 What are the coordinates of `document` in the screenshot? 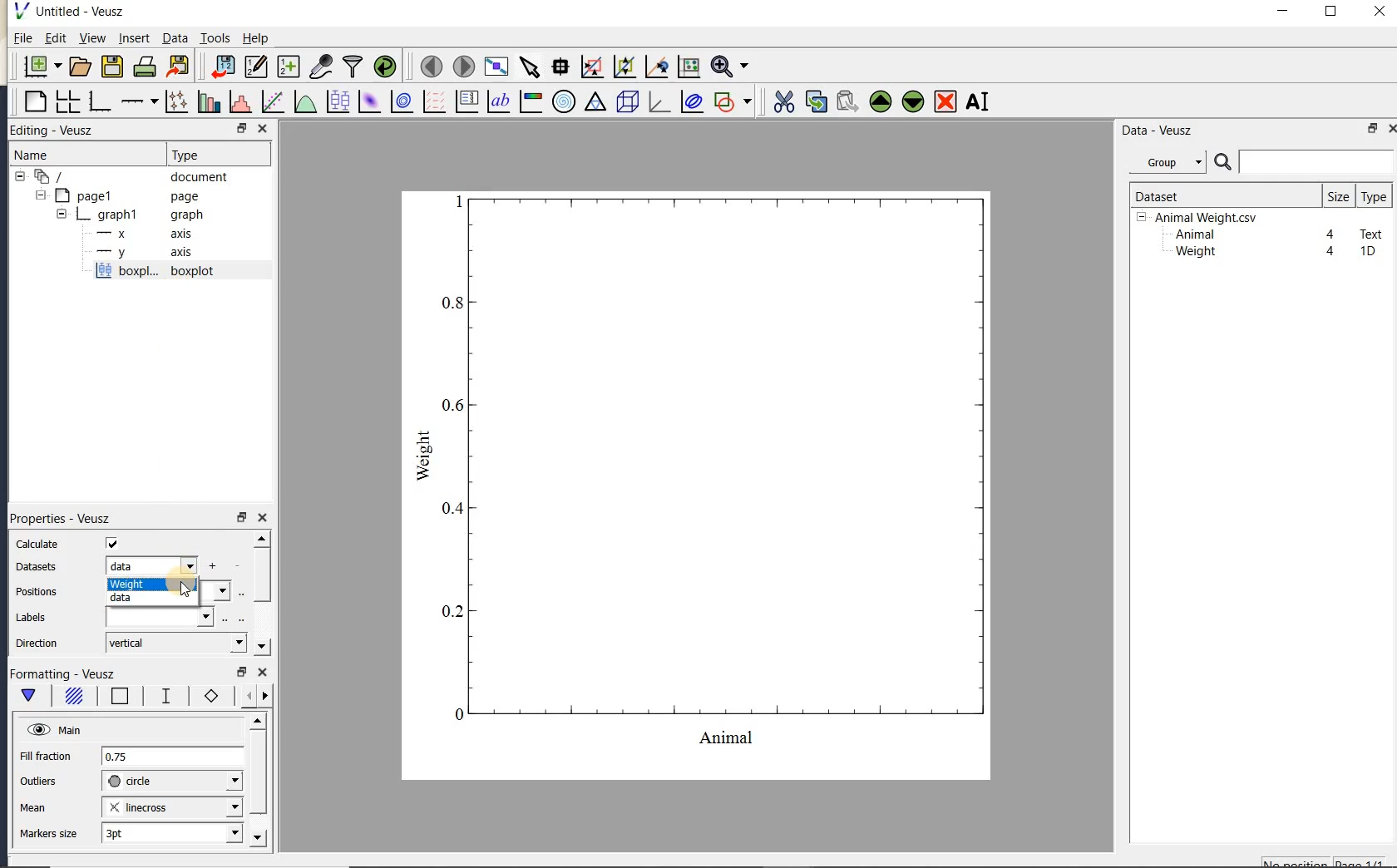 It's located at (126, 177).